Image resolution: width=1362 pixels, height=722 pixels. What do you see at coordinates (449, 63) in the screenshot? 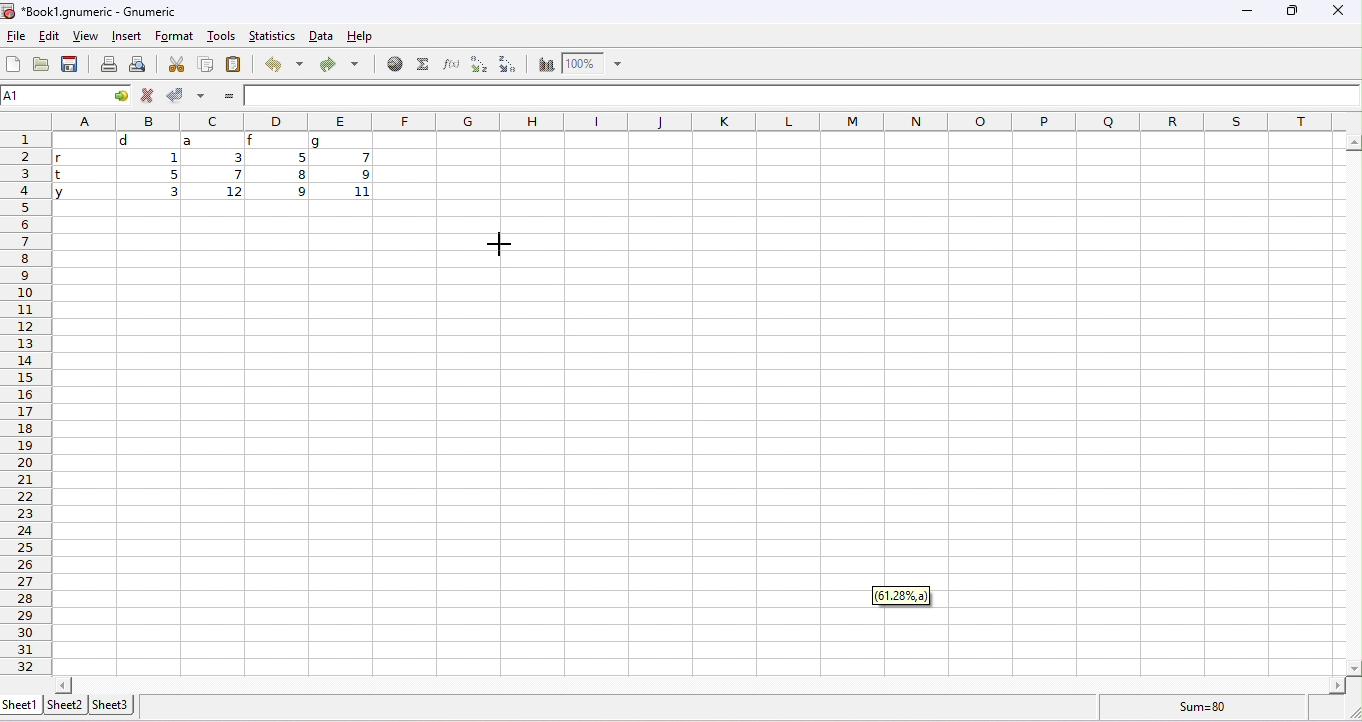
I see `function wizard` at bounding box center [449, 63].